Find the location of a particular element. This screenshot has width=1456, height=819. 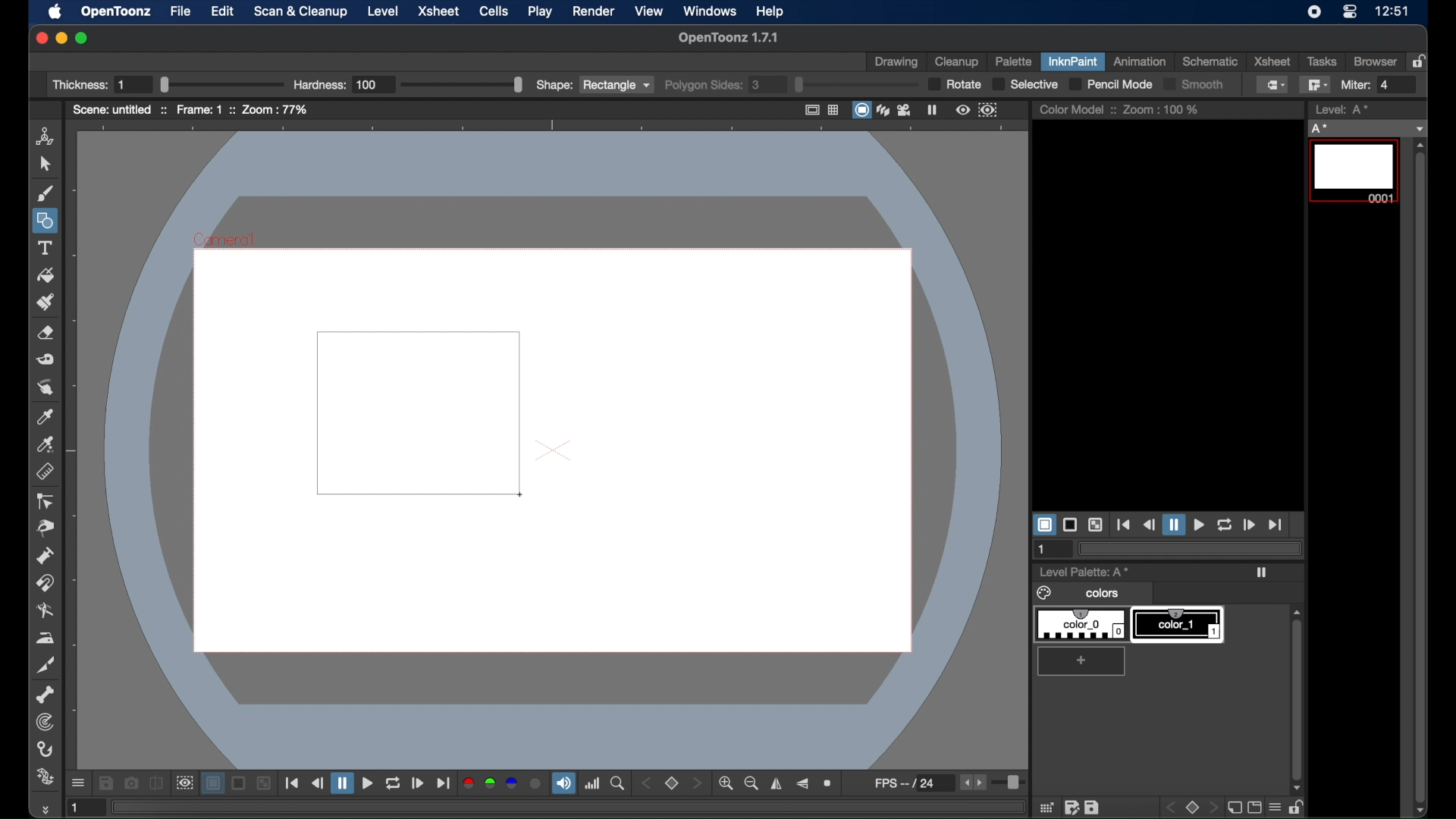

3dview is located at coordinates (884, 111).